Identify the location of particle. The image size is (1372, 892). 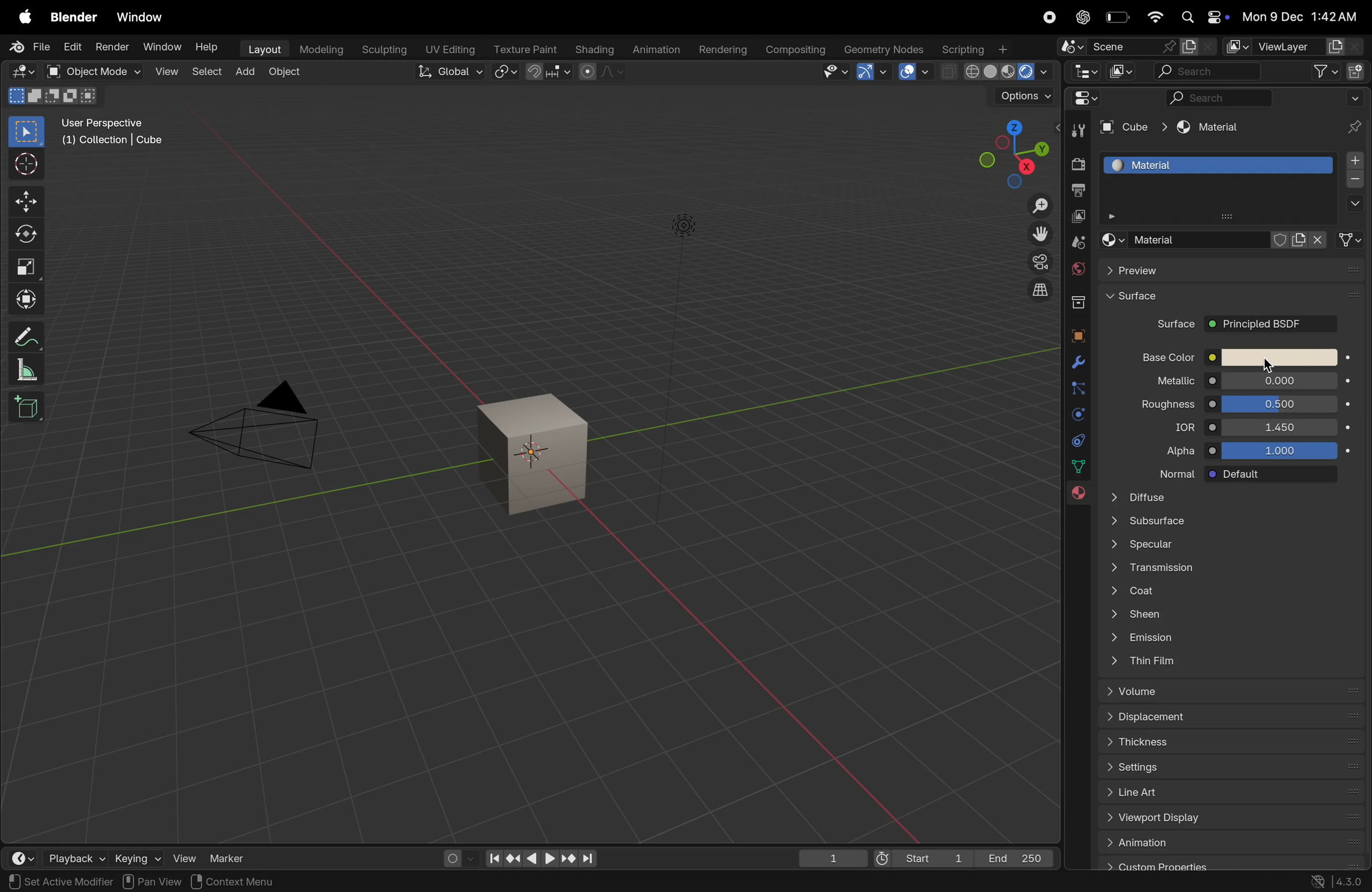
(1077, 390).